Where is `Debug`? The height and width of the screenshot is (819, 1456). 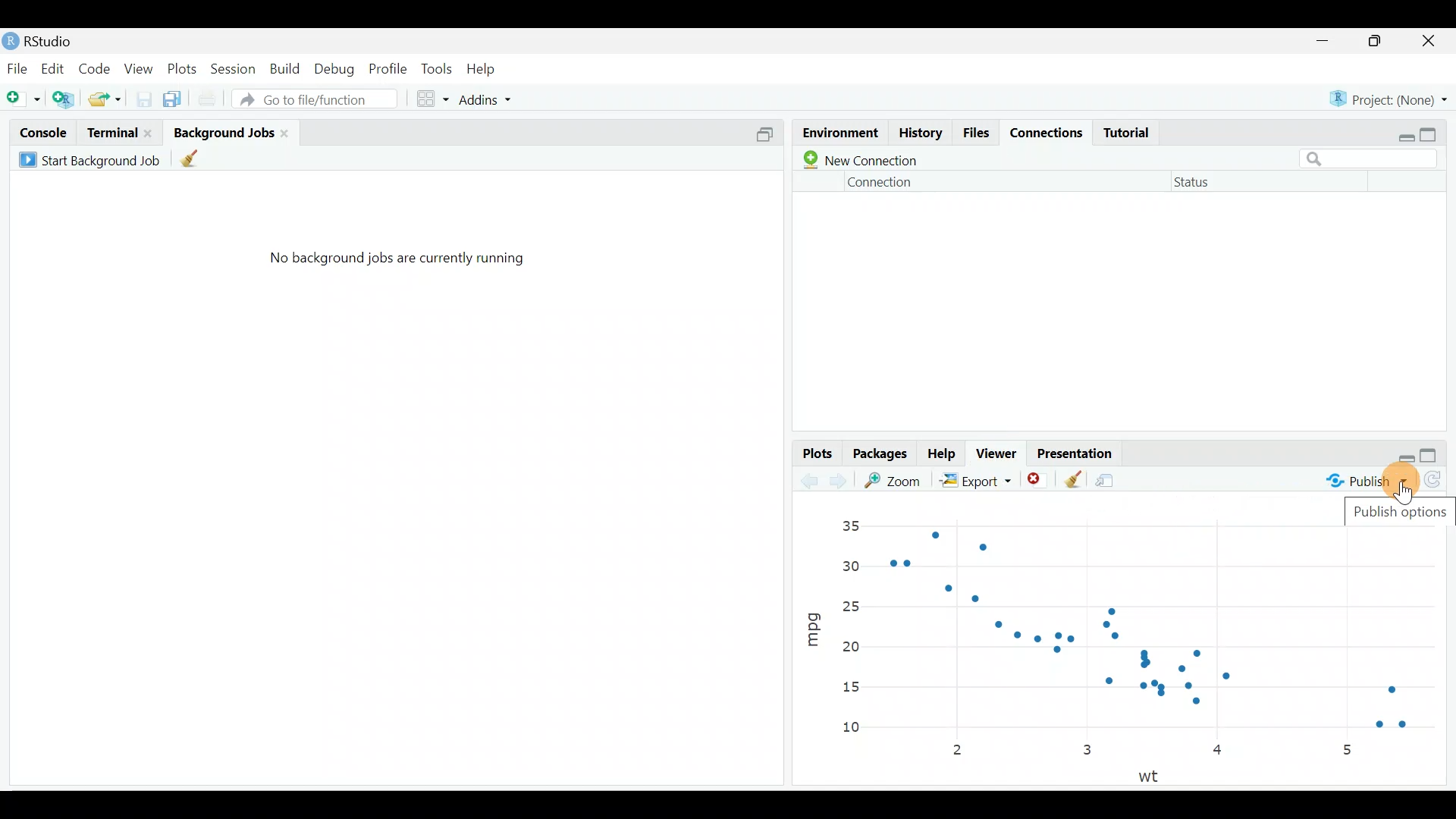
Debug is located at coordinates (336, 69).